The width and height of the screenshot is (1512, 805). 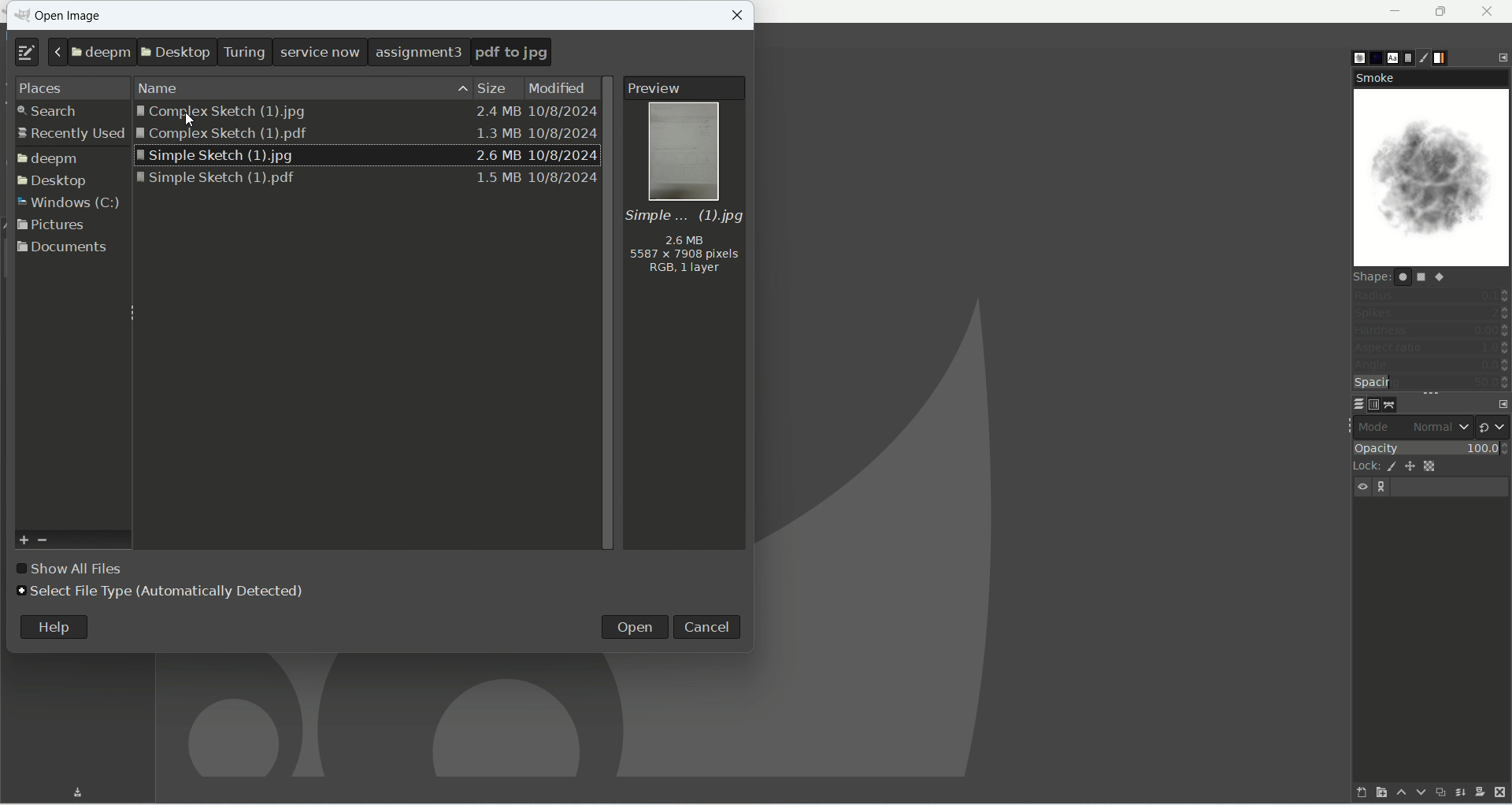 I want to click on create a new layer and add it to image, so click(x=1361, y=794).